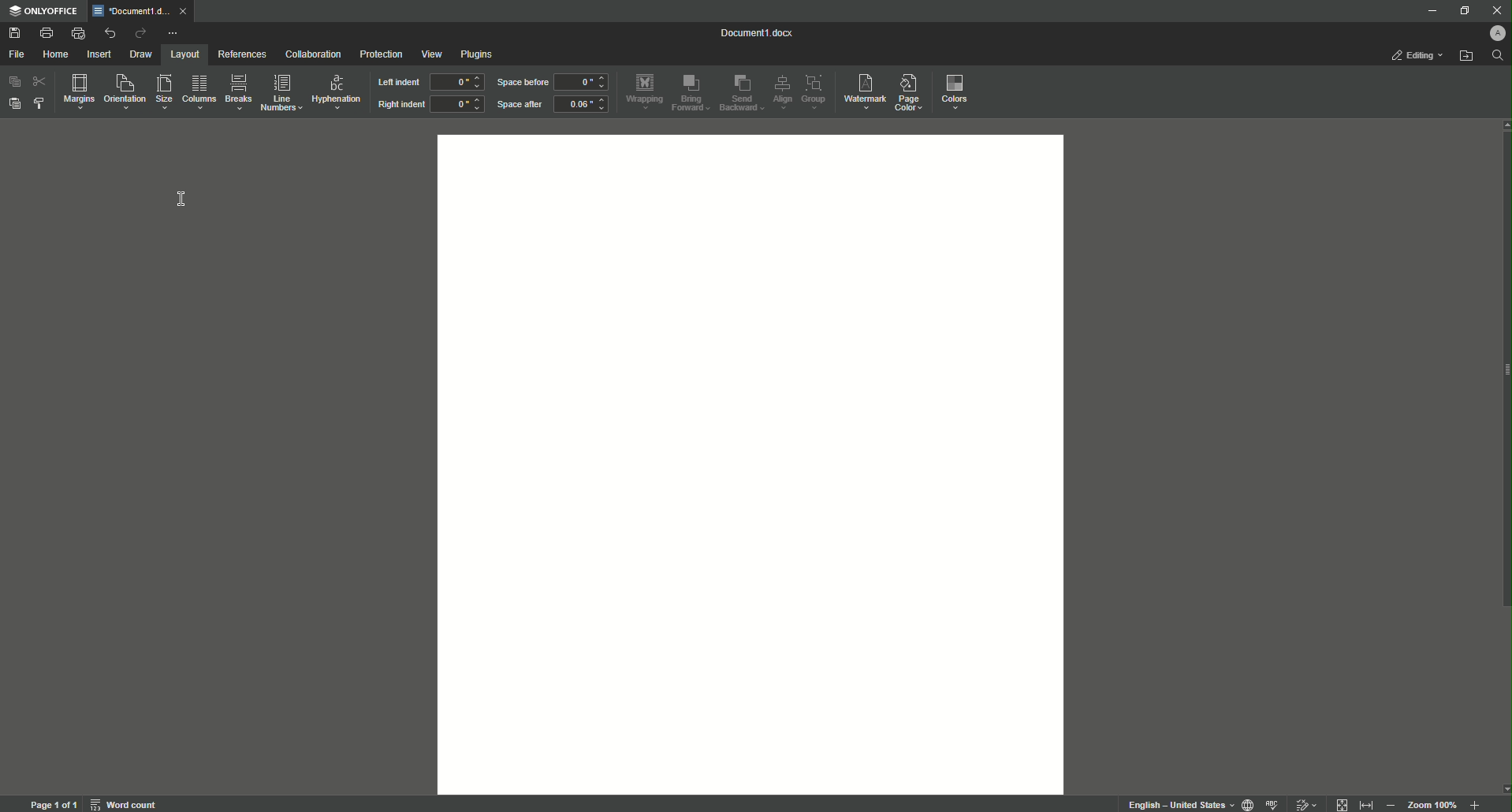  Describe the element at coordinates (1494, 11) in the screenshot. I see `Close` at that location.